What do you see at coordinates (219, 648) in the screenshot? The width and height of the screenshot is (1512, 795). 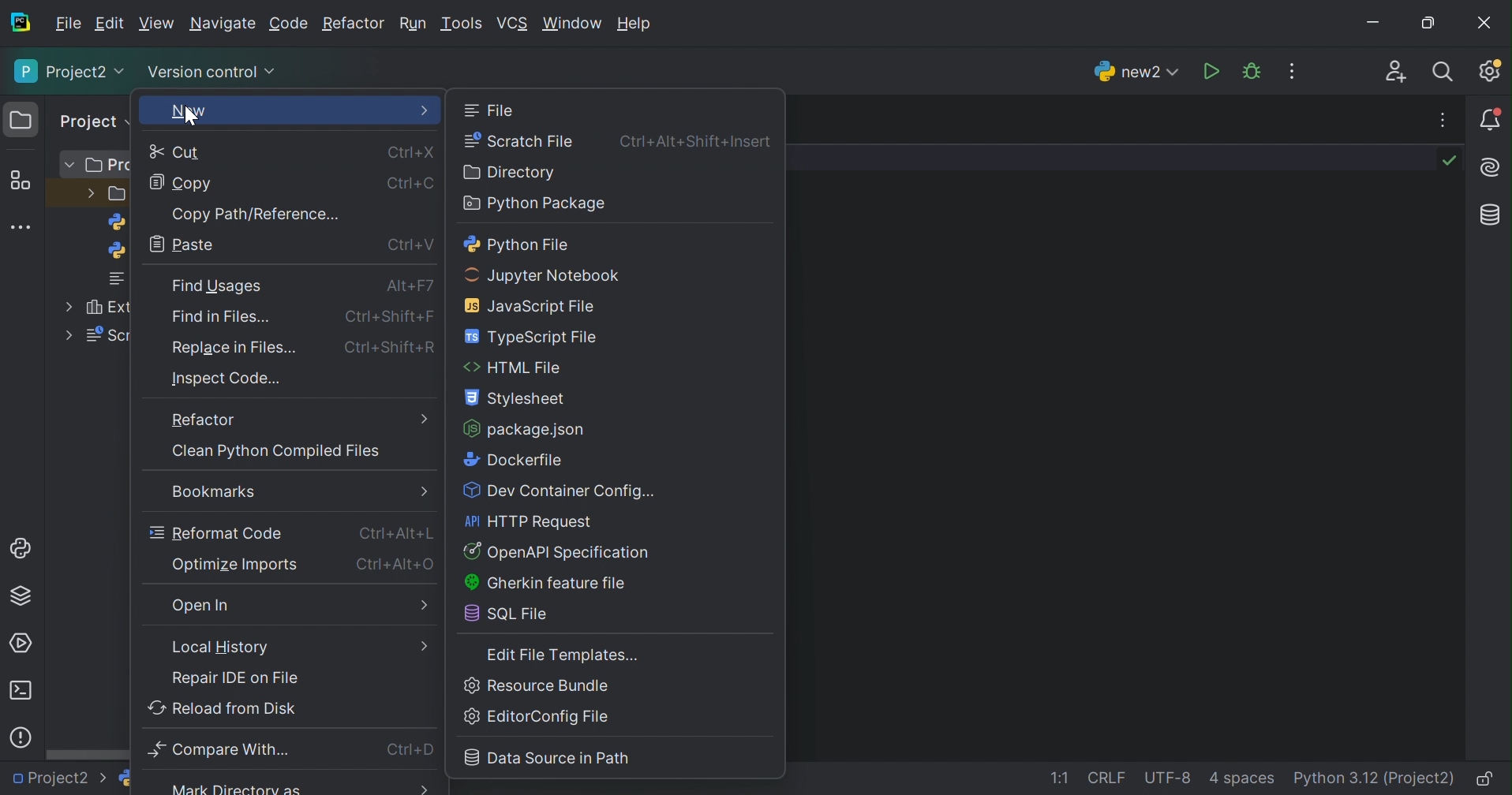 I see `Local History` at bounding box center [219, 648].